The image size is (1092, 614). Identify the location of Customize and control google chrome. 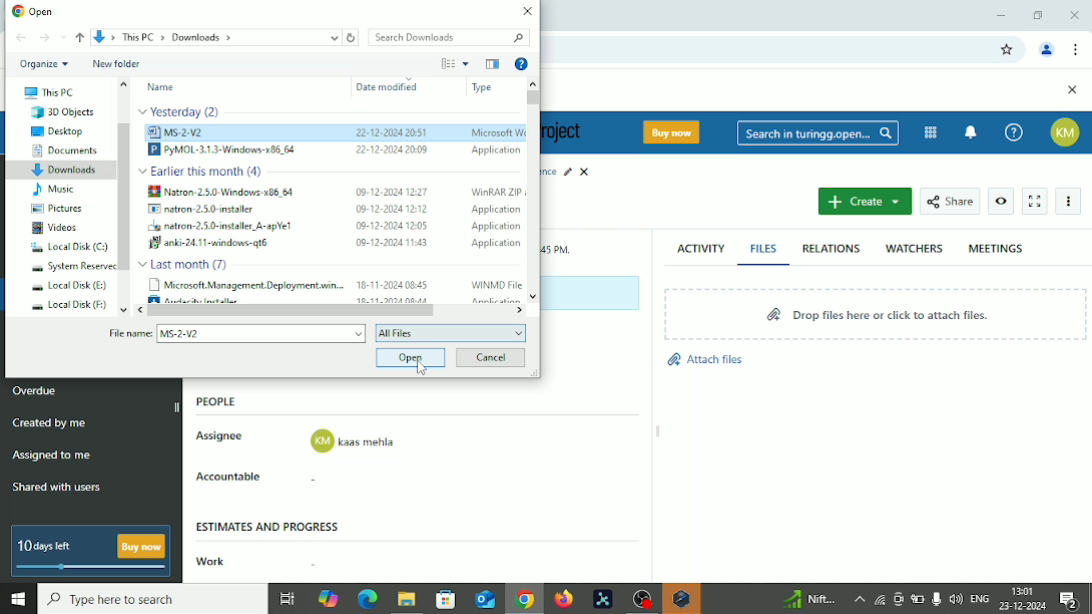
(1078, 49).